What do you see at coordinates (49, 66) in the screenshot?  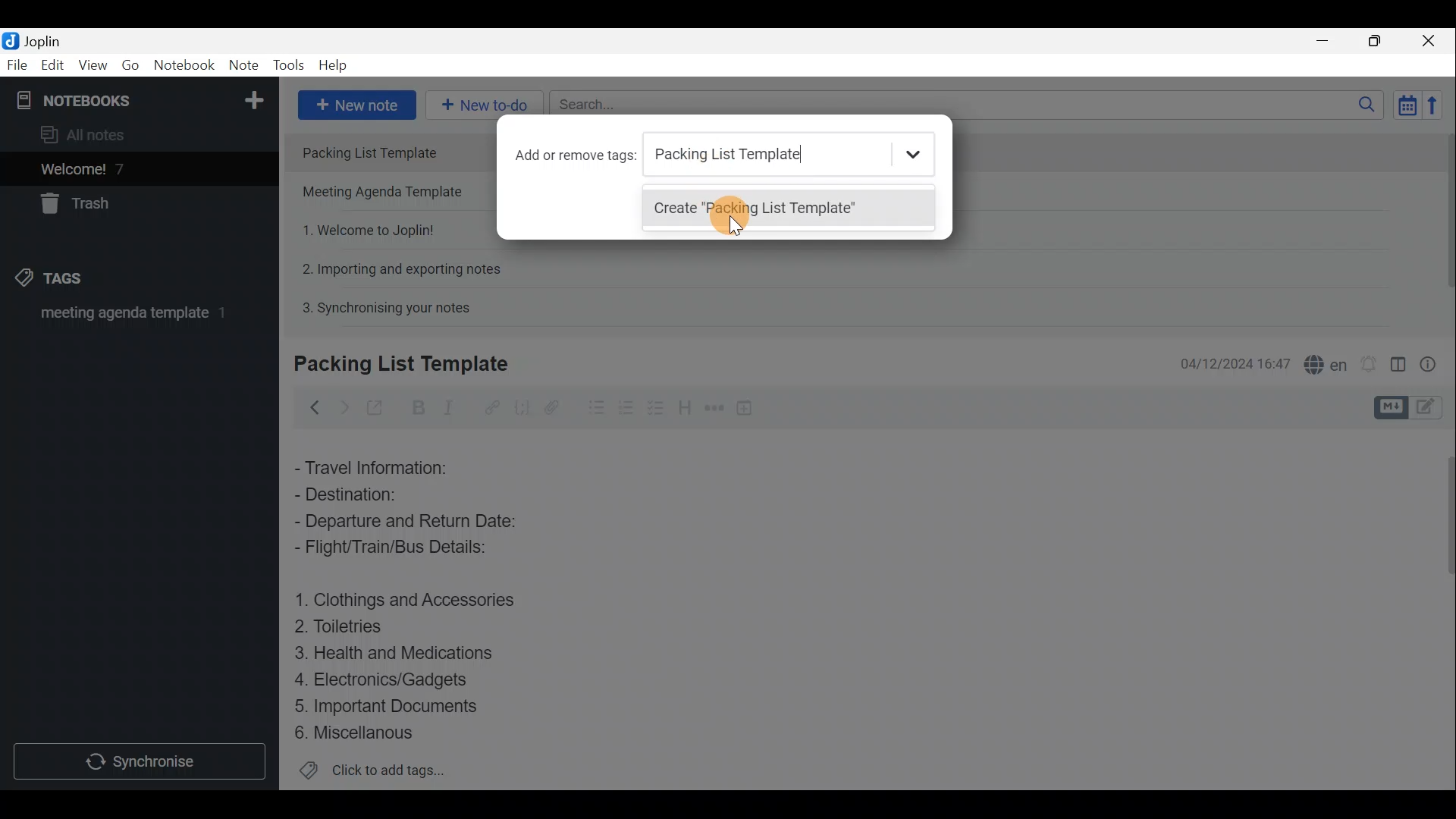 I see `Edit` at bounding box center [49, 66].